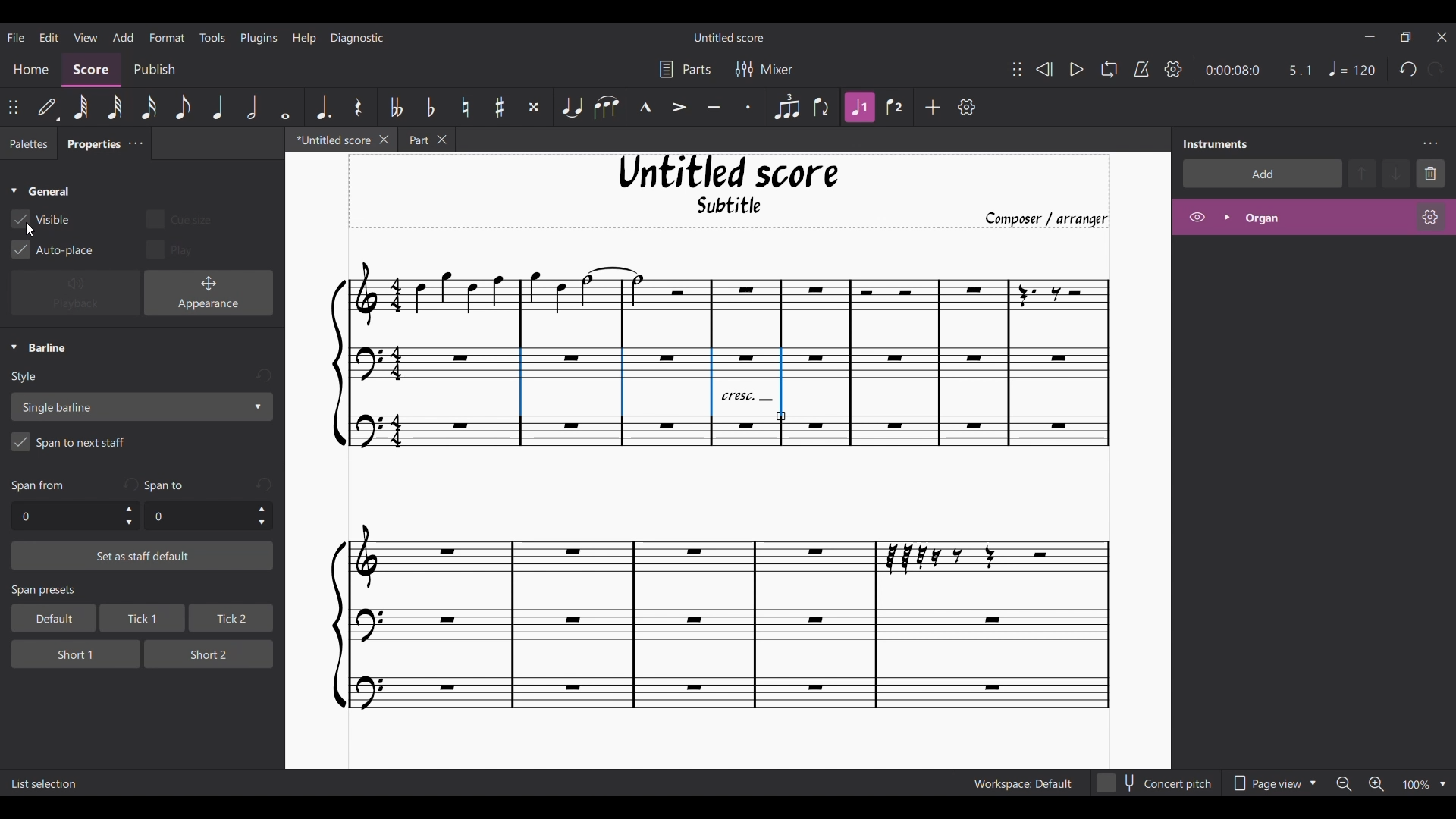 The height and width of the screenshot is (819, 1456). What do you see at coordinates (934, 107) in the screenshot?
I see `Add` at bounding box center [934, 107].